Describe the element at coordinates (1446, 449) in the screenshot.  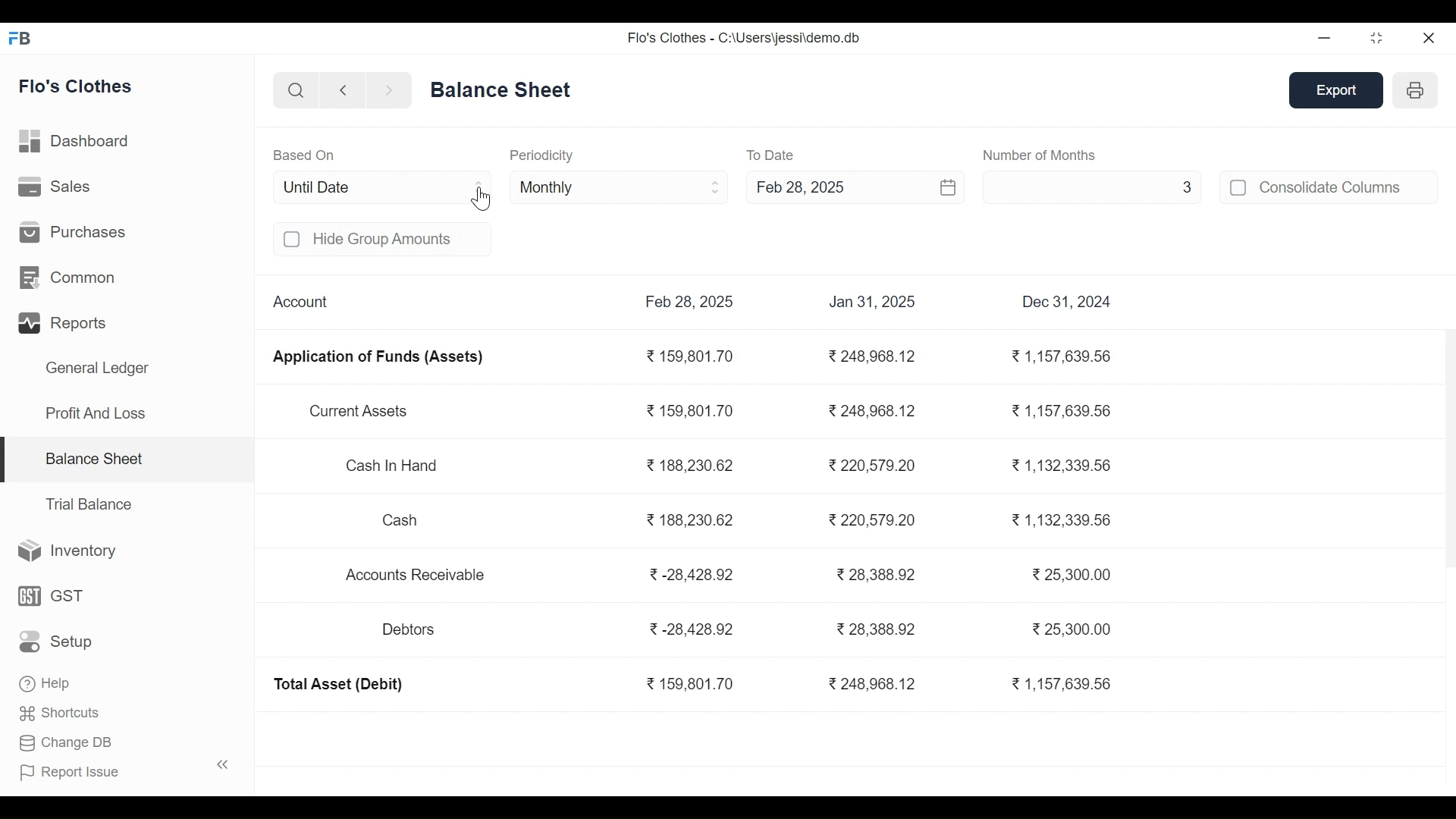
I see `scrollbar` at that location.